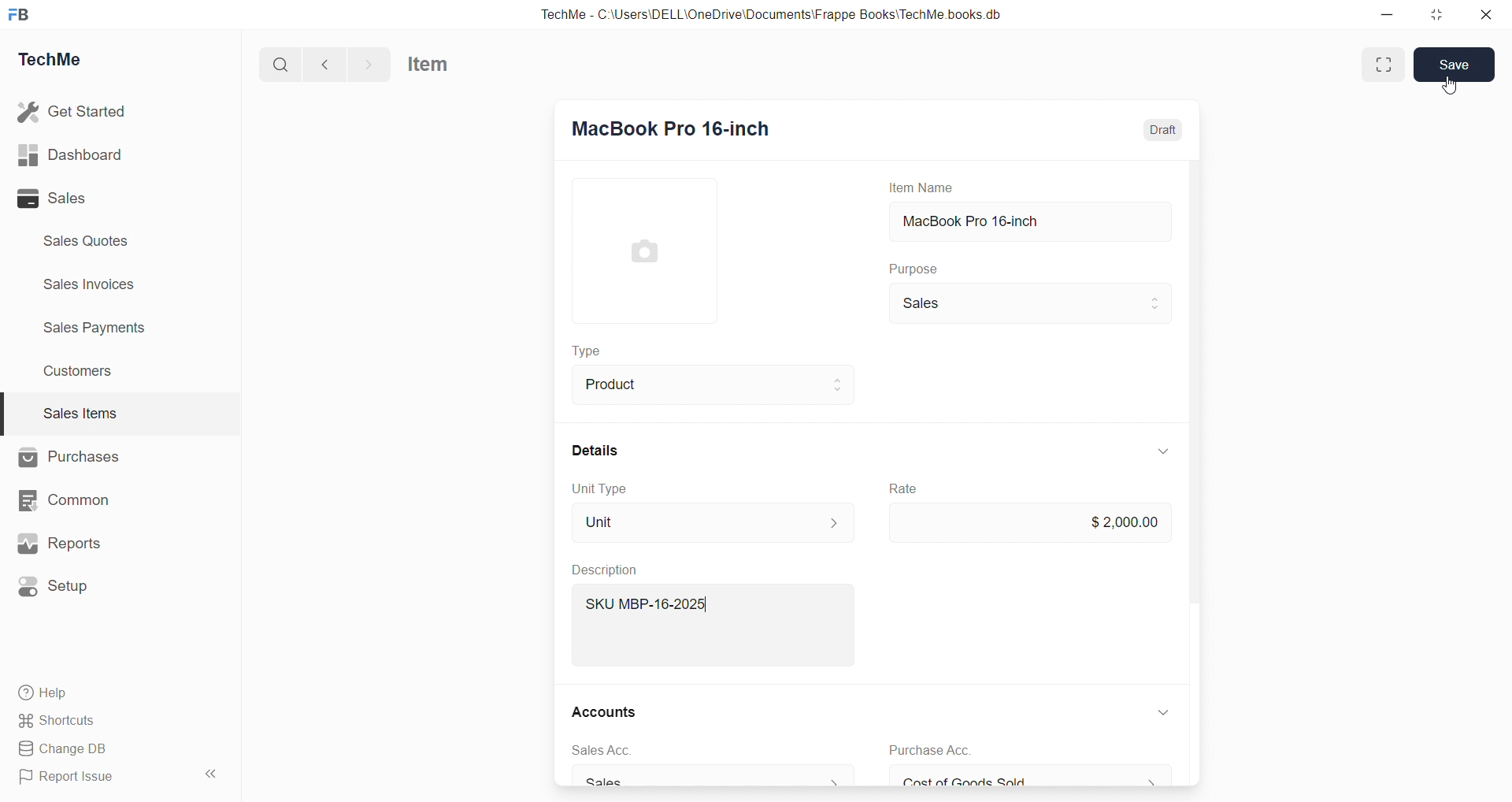  What do you see at coordinates (54, 199) in the screenshot?
I see `Sales` at bounding box center [54, 199].